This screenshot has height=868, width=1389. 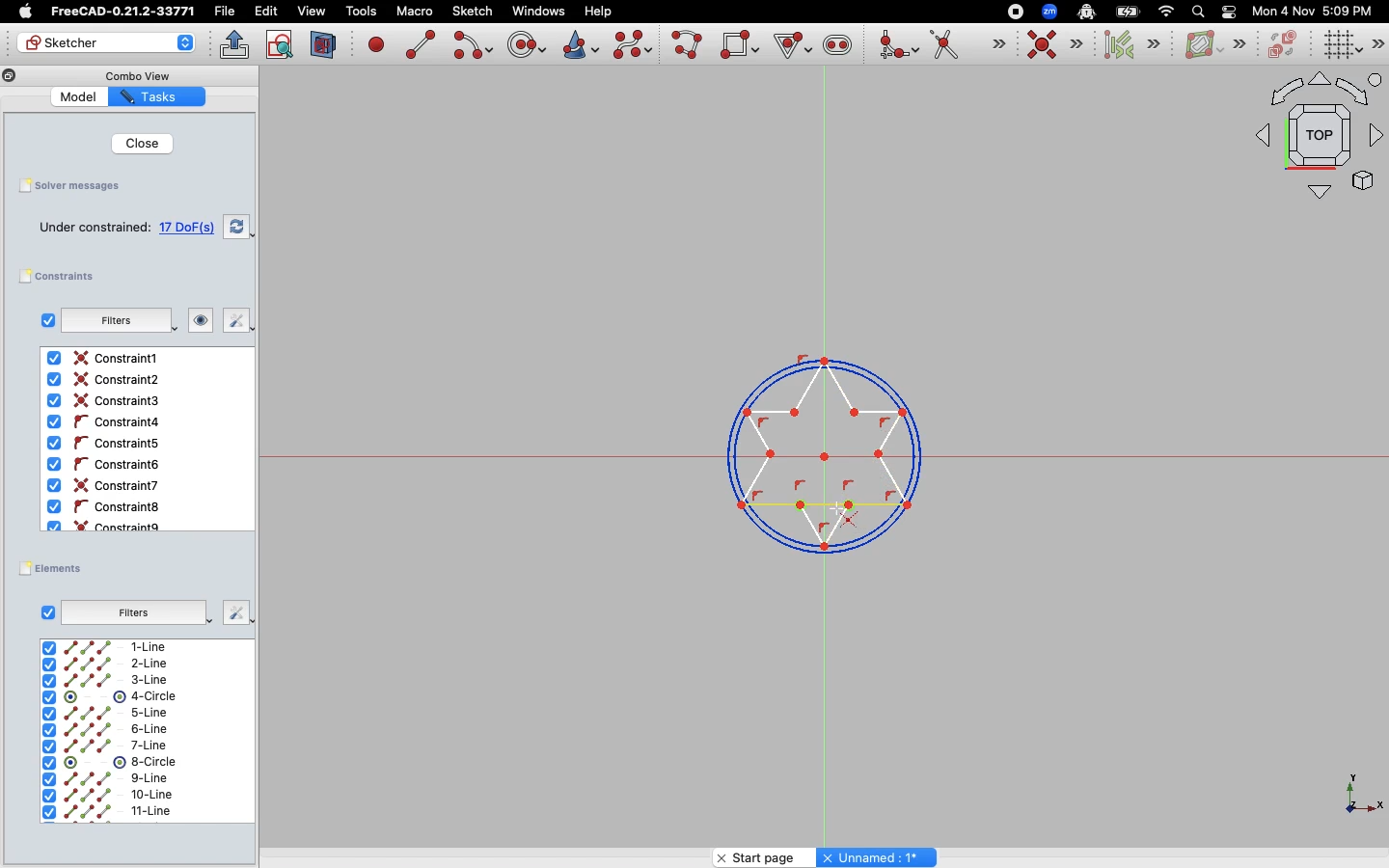 What do you see at coordinates (104, 730) in the screenshot?
I see `6-line` at bounding box center [104, 730].